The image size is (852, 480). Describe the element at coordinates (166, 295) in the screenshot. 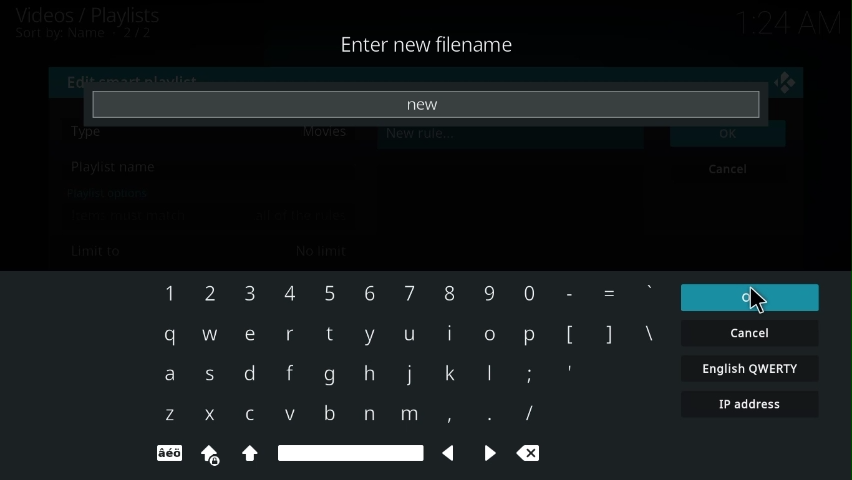

I see `1` at that location.